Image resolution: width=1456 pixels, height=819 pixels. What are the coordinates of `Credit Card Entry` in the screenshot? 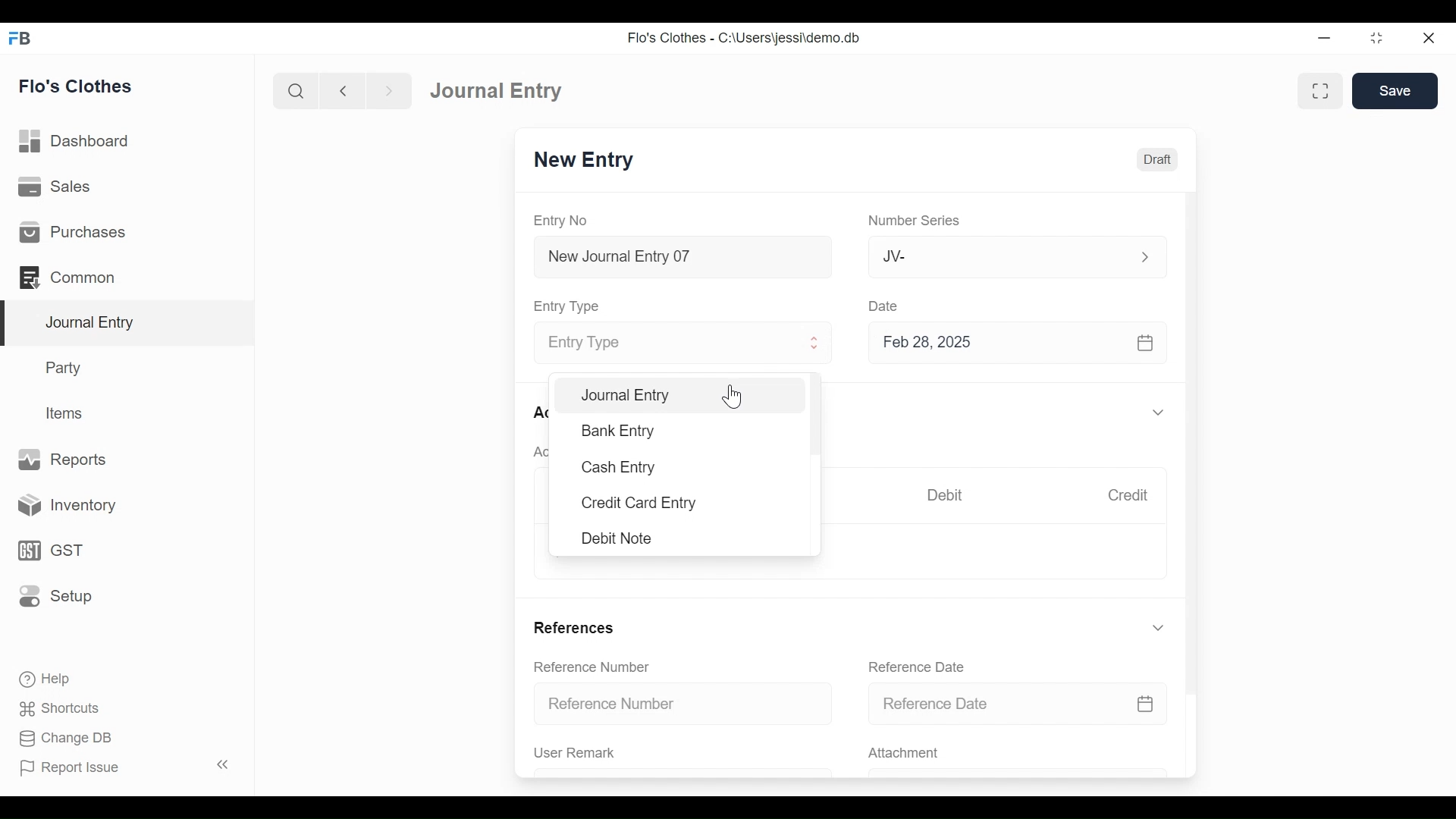 It's located at (639, 503).